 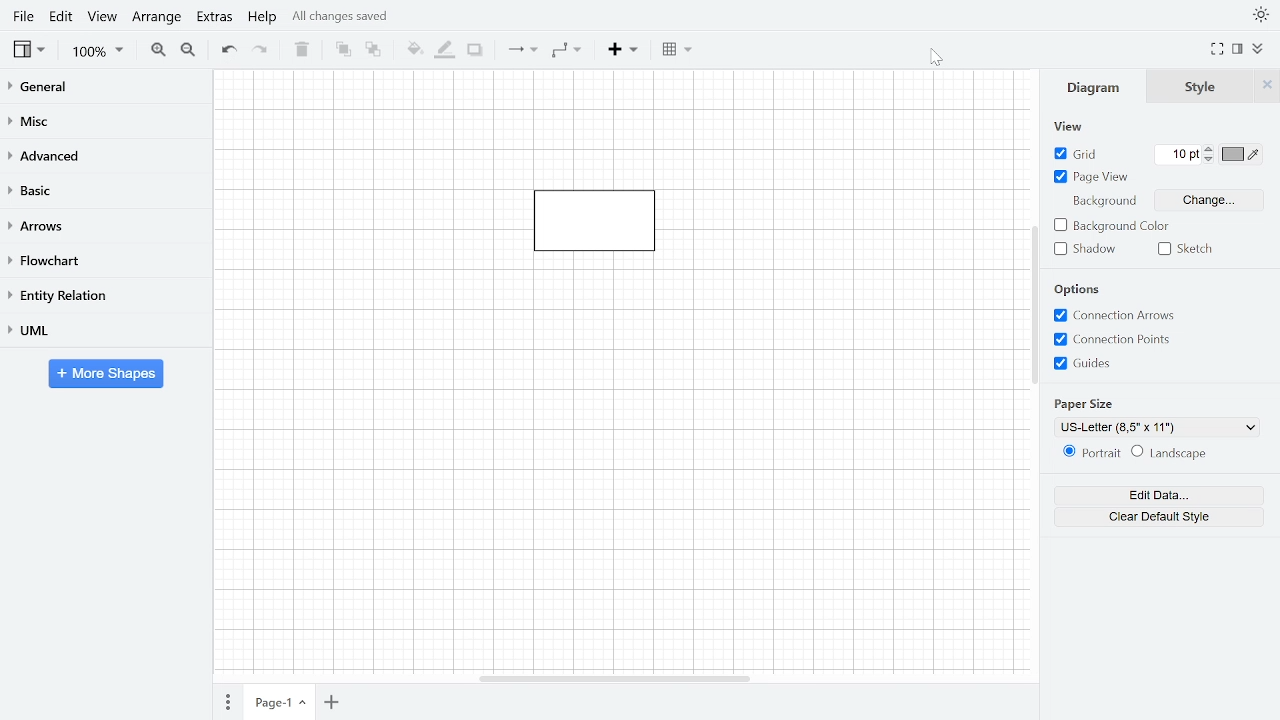 What do you see at coordinates (1165, 517) in the screenshot?
I see `Clear default style` at bounding box center [1165, 517].